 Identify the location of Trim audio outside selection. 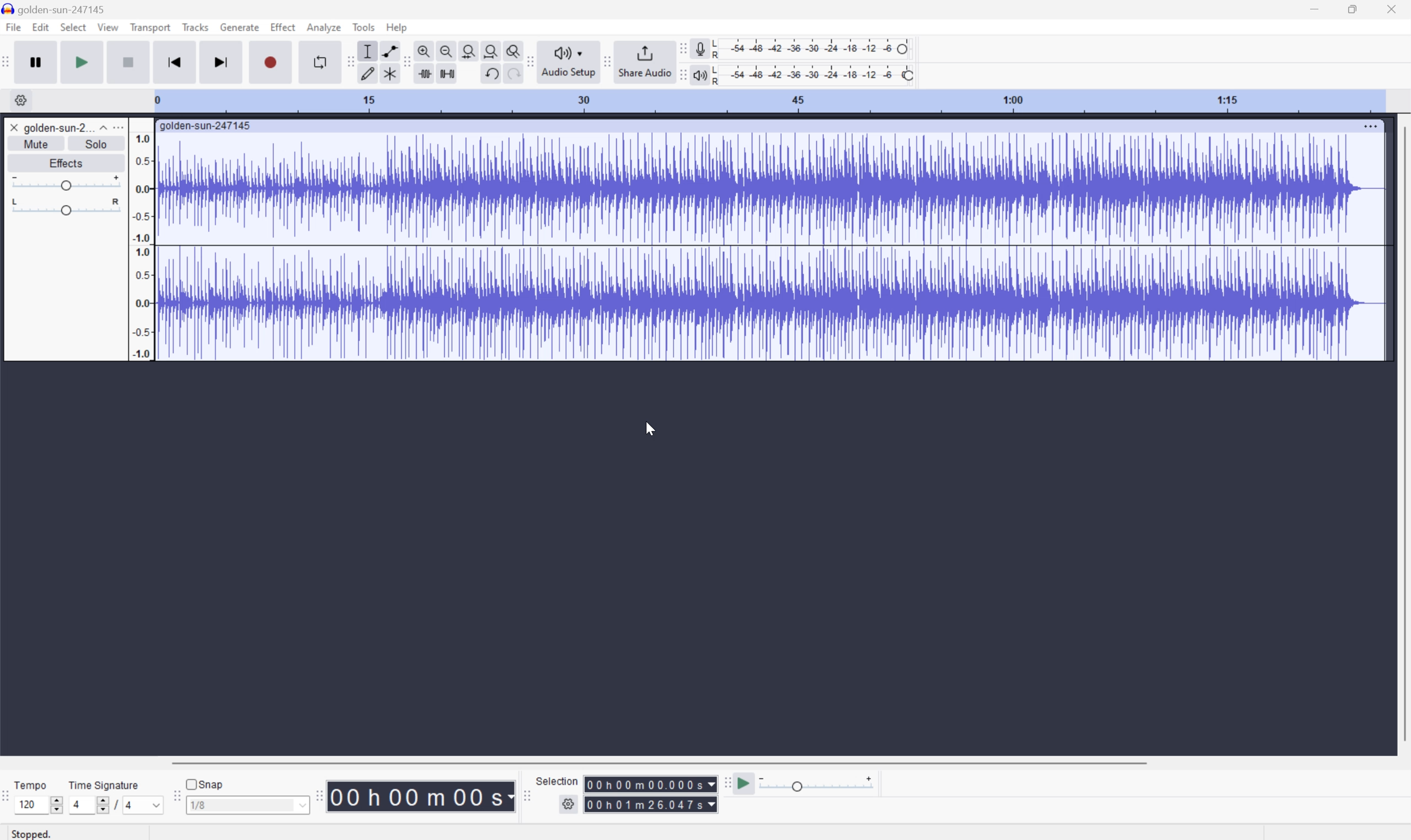
(427, 74).